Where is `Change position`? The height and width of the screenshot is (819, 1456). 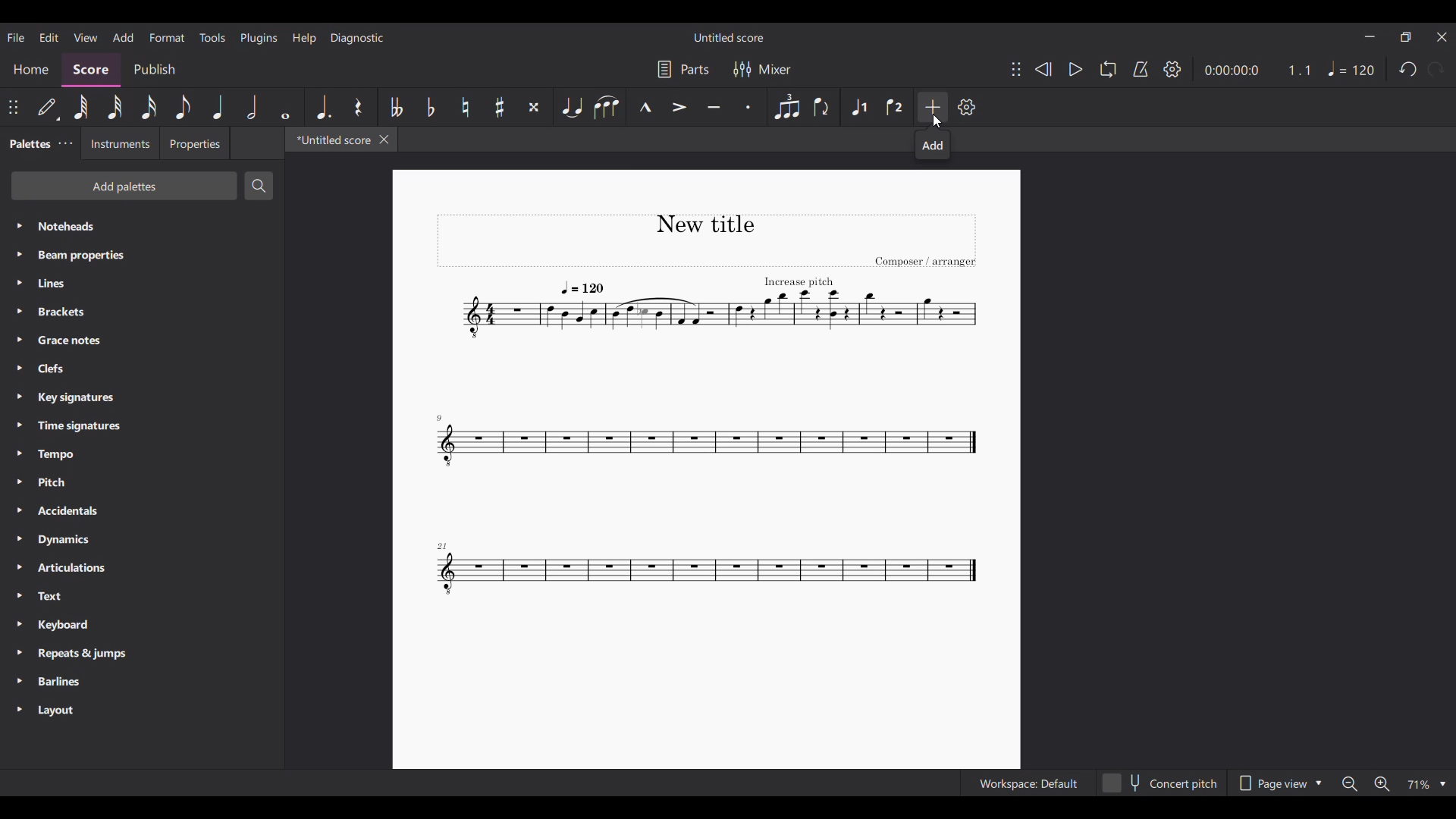 Change position is located at coordinates (1016, 69).